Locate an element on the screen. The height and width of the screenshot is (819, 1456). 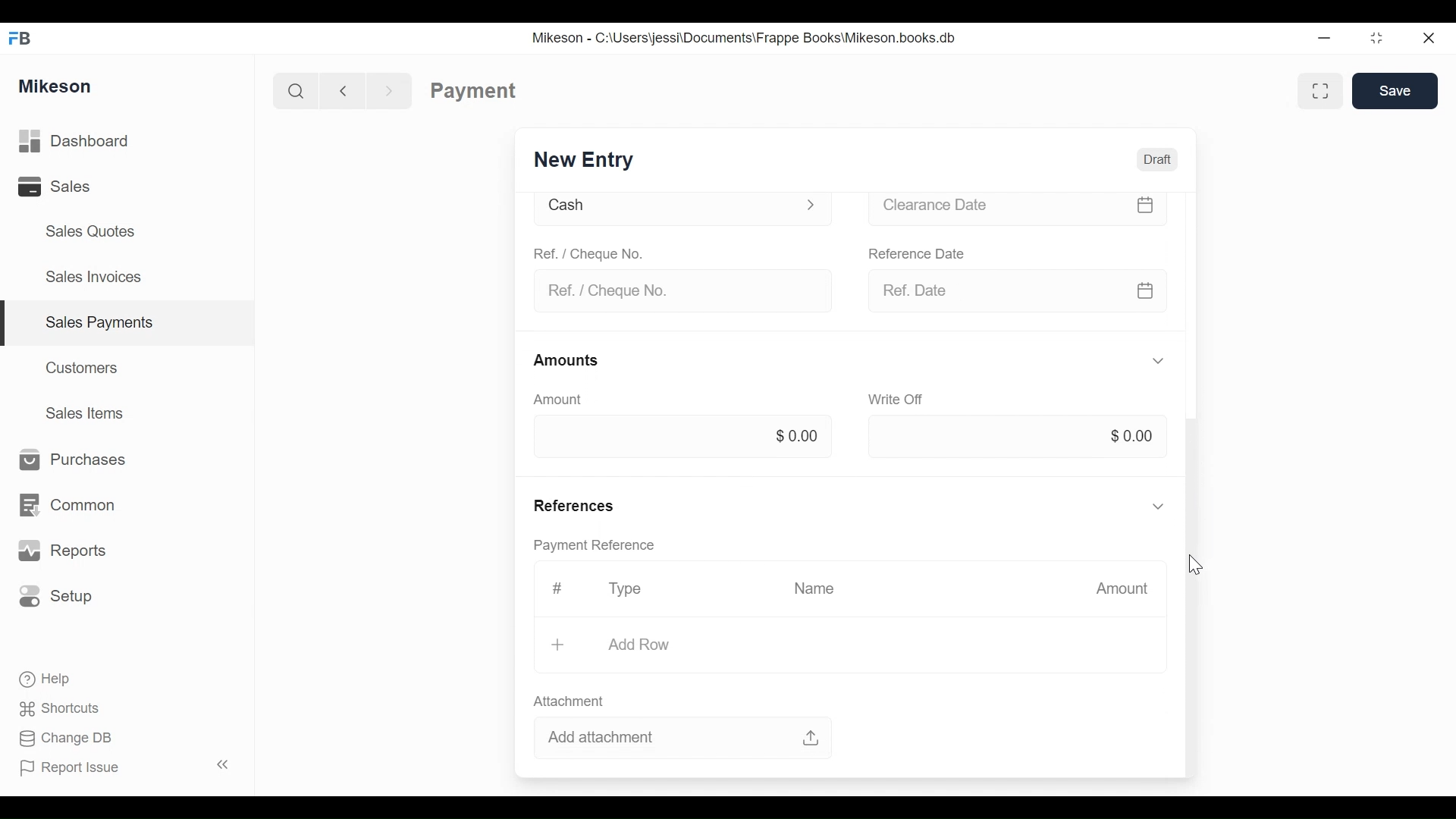
Setup is located at coordinates (61, 597).